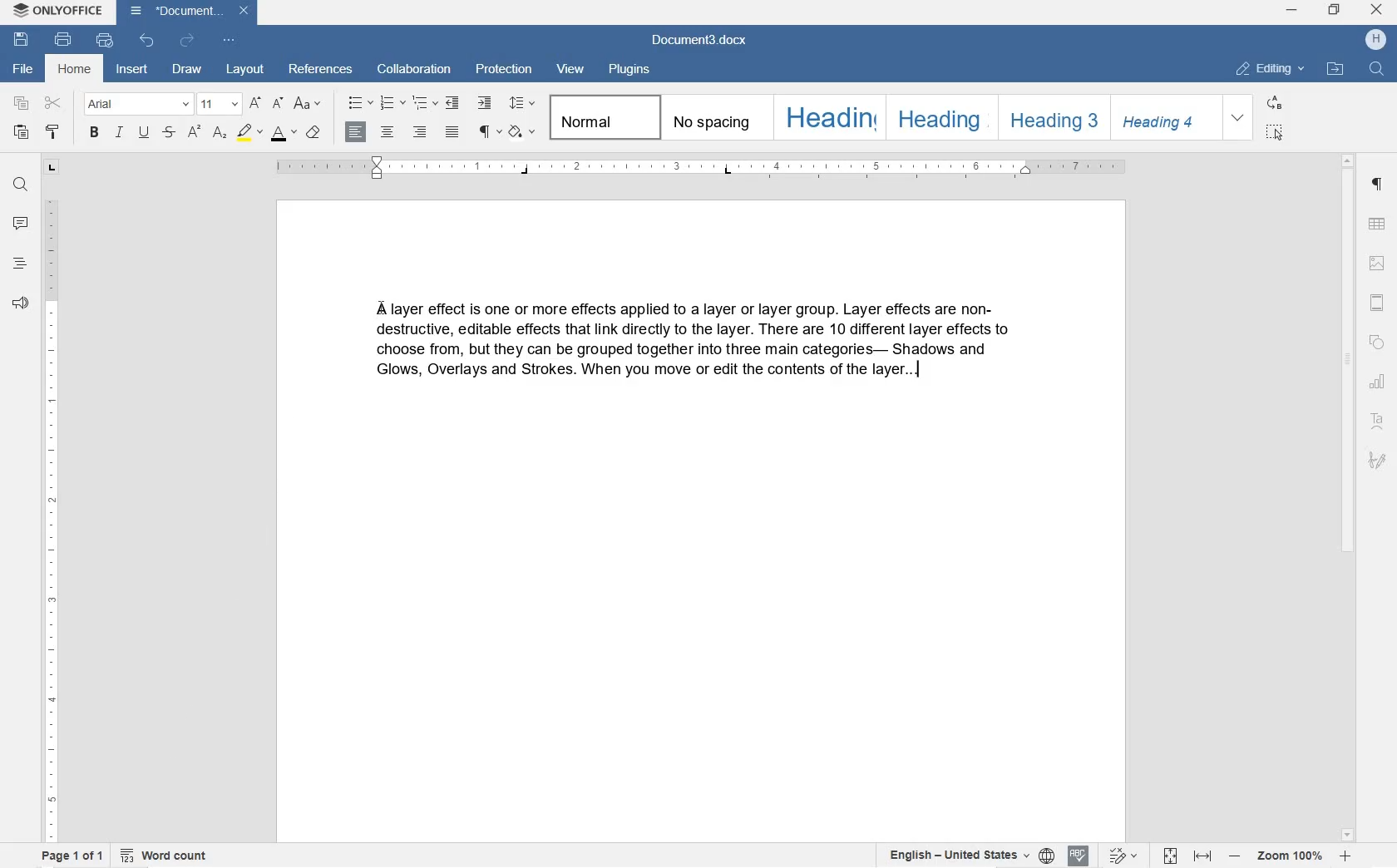  I want to click on COLLABORATION, so click(414, 70).